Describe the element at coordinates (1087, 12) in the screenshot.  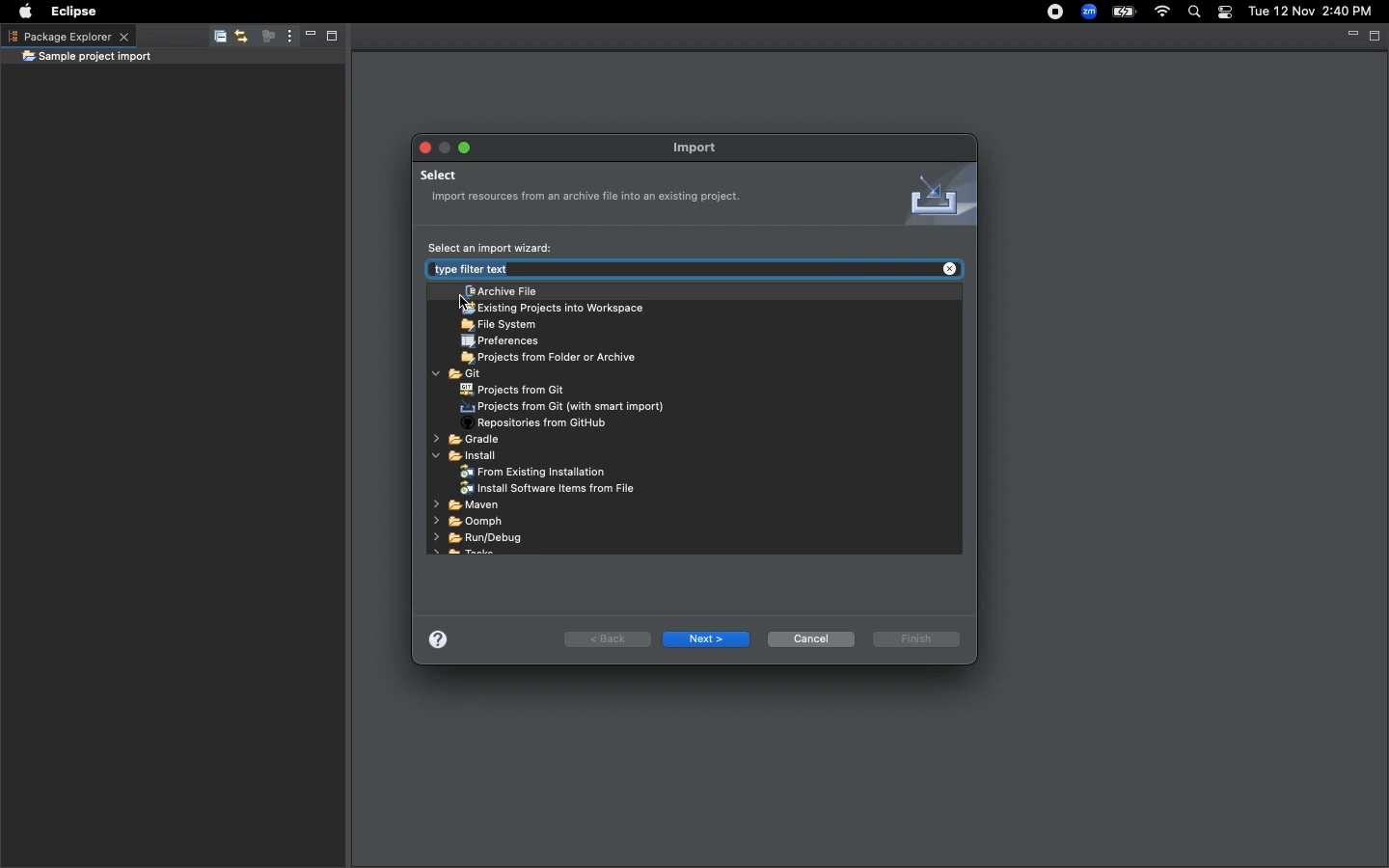
I see `Zoom` at that location.